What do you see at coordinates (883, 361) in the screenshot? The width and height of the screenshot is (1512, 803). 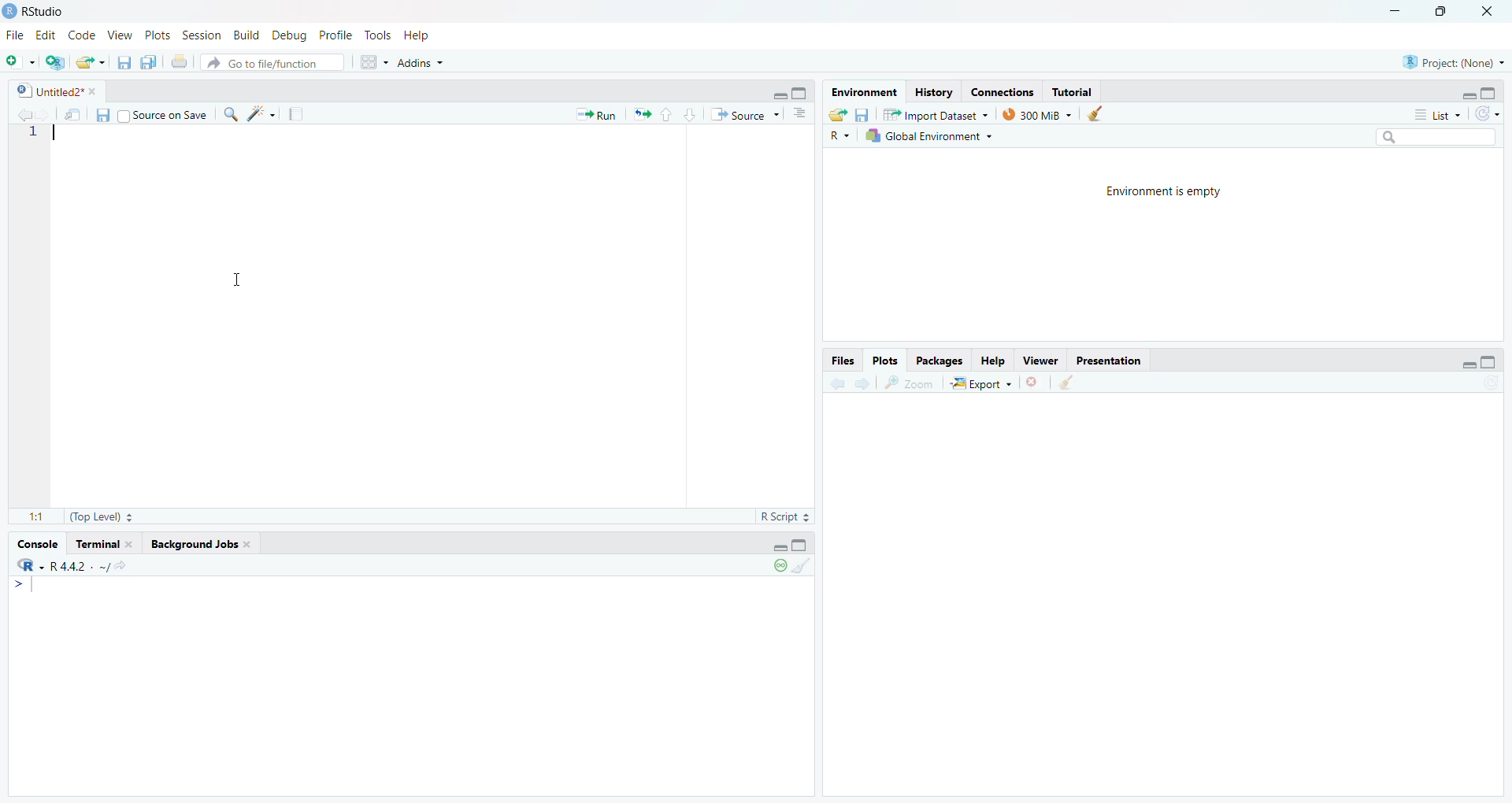 I see `Plots` at bounding box center [883, 361].